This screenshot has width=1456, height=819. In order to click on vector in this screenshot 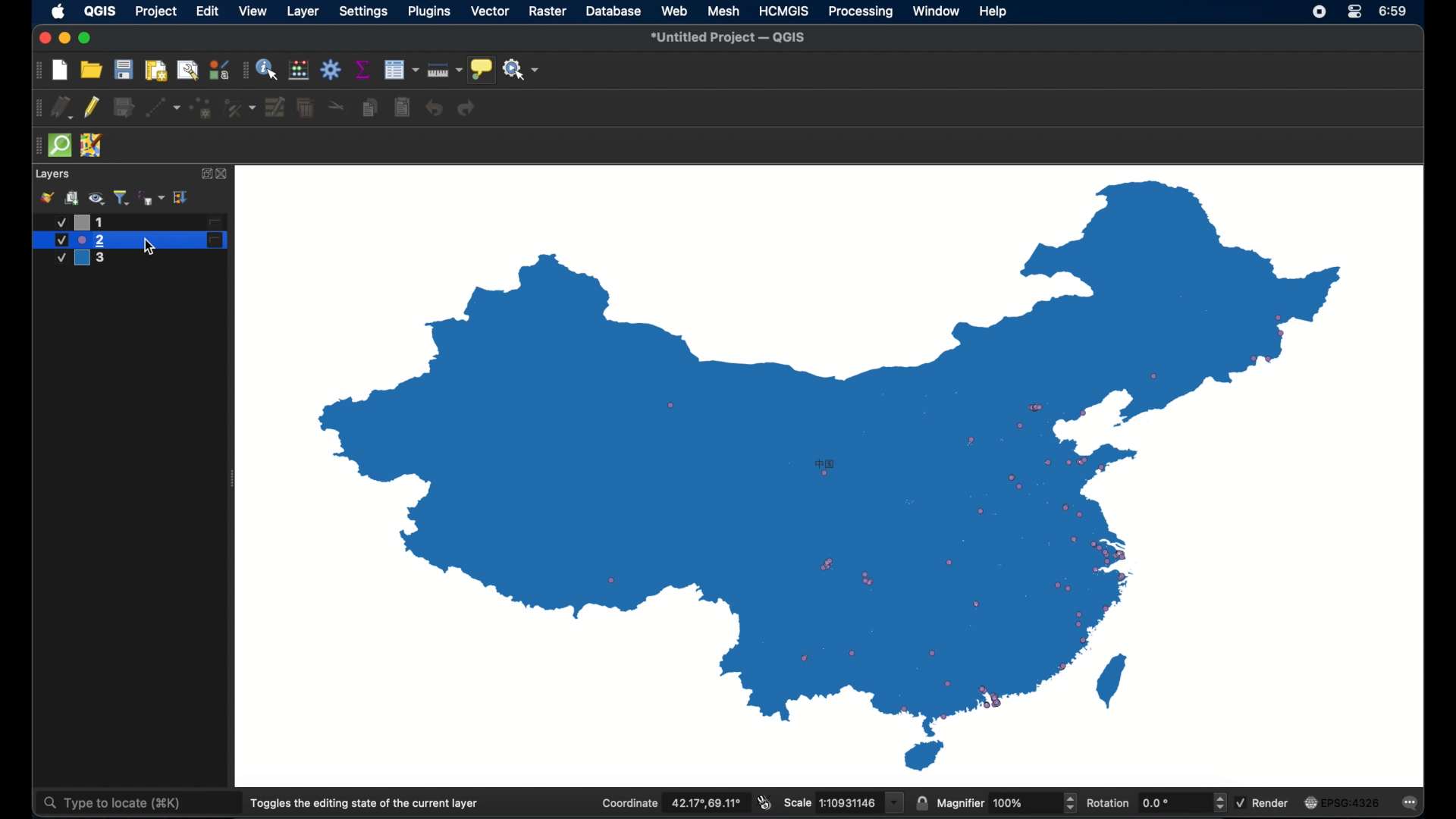, I will do `click(489, 11)`.